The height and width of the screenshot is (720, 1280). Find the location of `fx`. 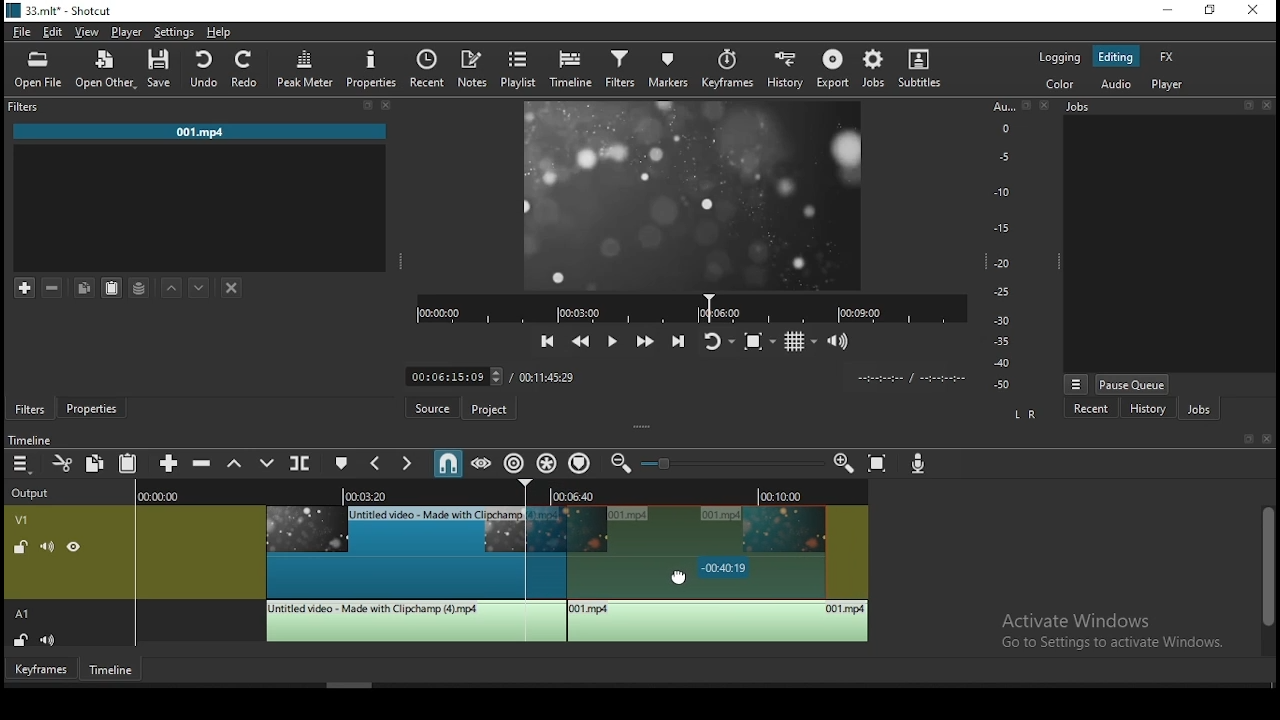

fx is located at coordinates (1167, 58).